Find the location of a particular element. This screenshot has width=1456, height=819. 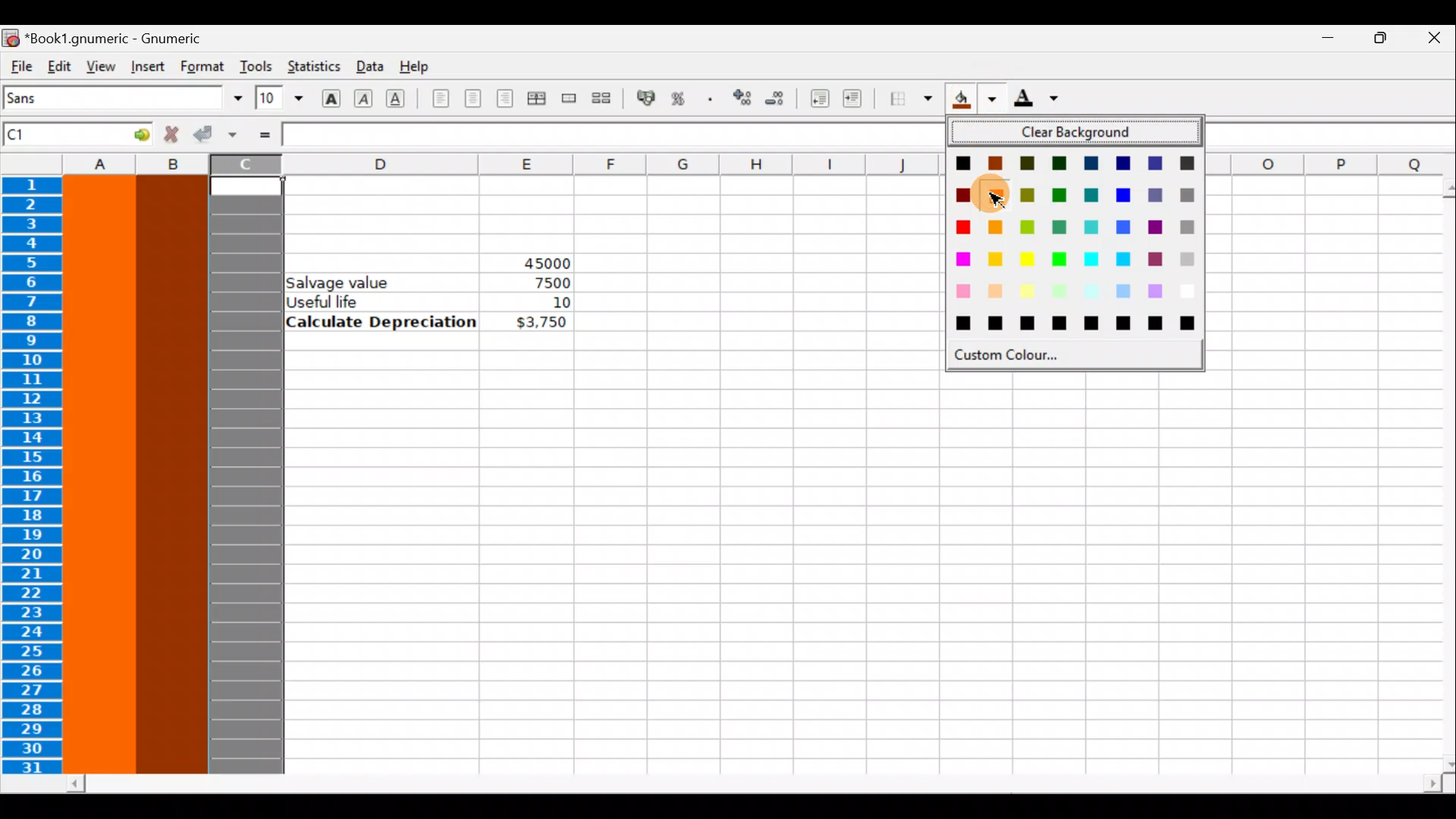

Font name - Sans is located at coordinates (120, 99).